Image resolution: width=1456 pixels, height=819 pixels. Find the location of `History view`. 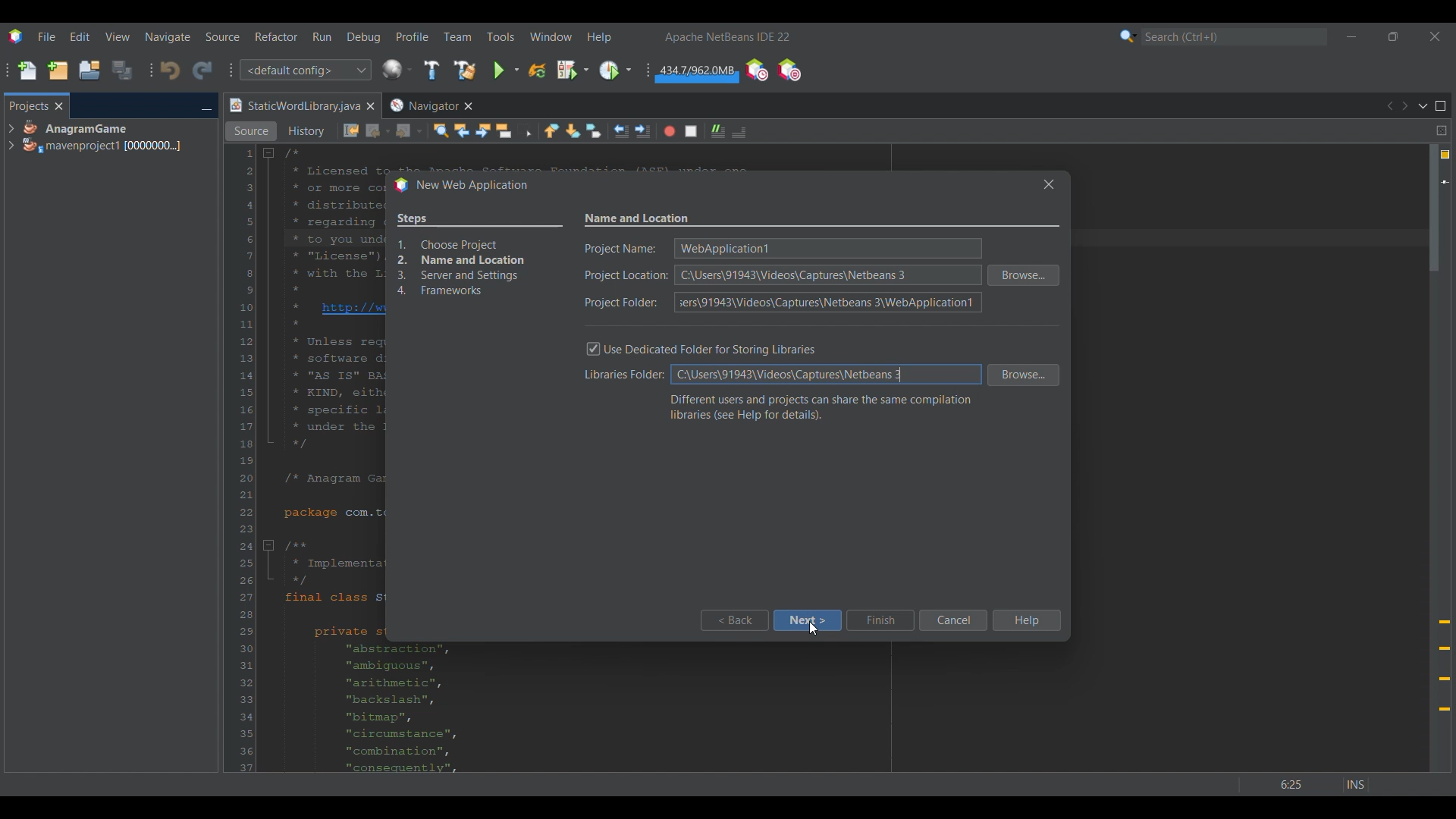

History view is located at coordinates (308, 131).